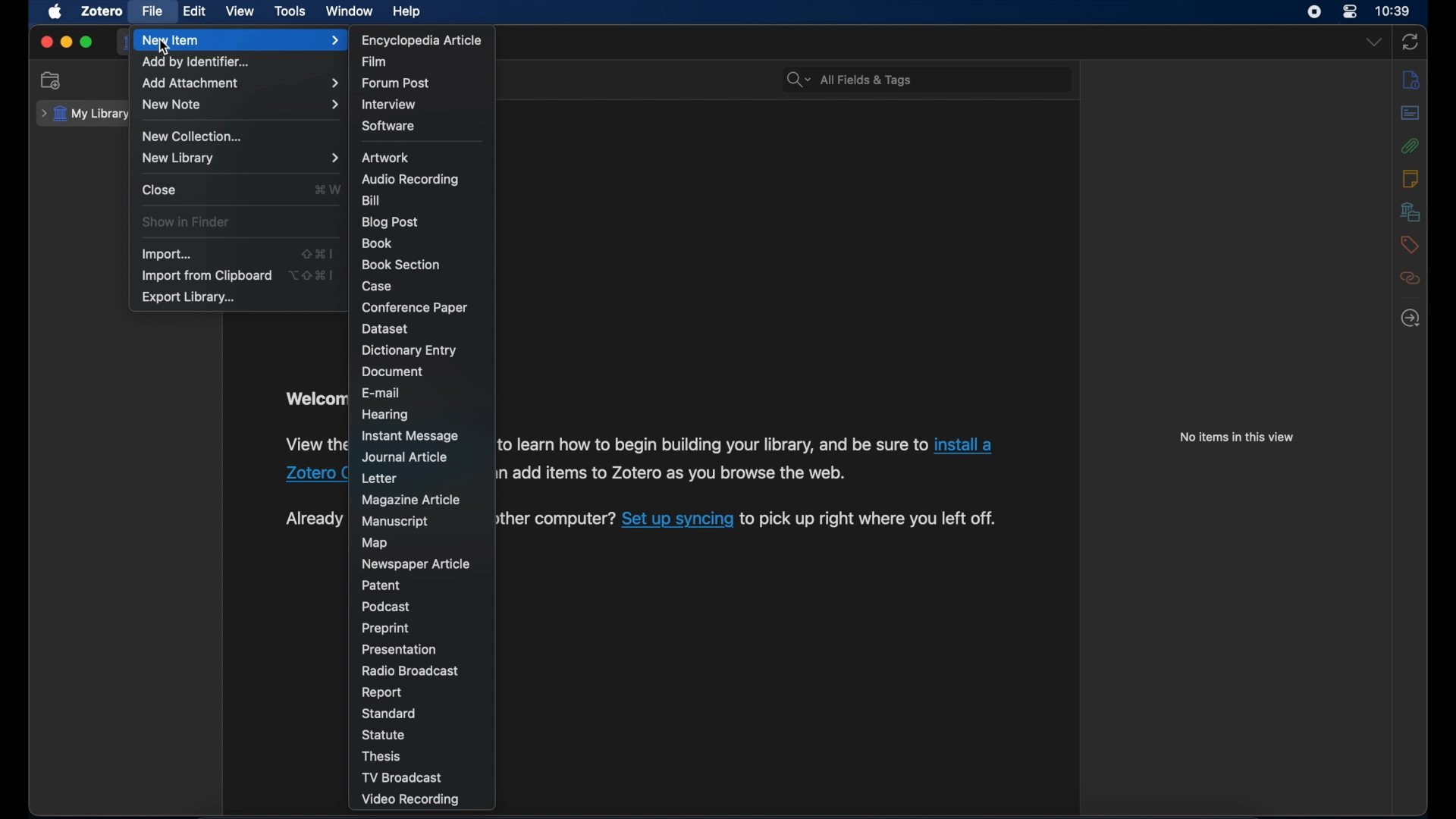 The height and width of the screenshot is (819, 1456). I want to click on my library, so click(86, 114).